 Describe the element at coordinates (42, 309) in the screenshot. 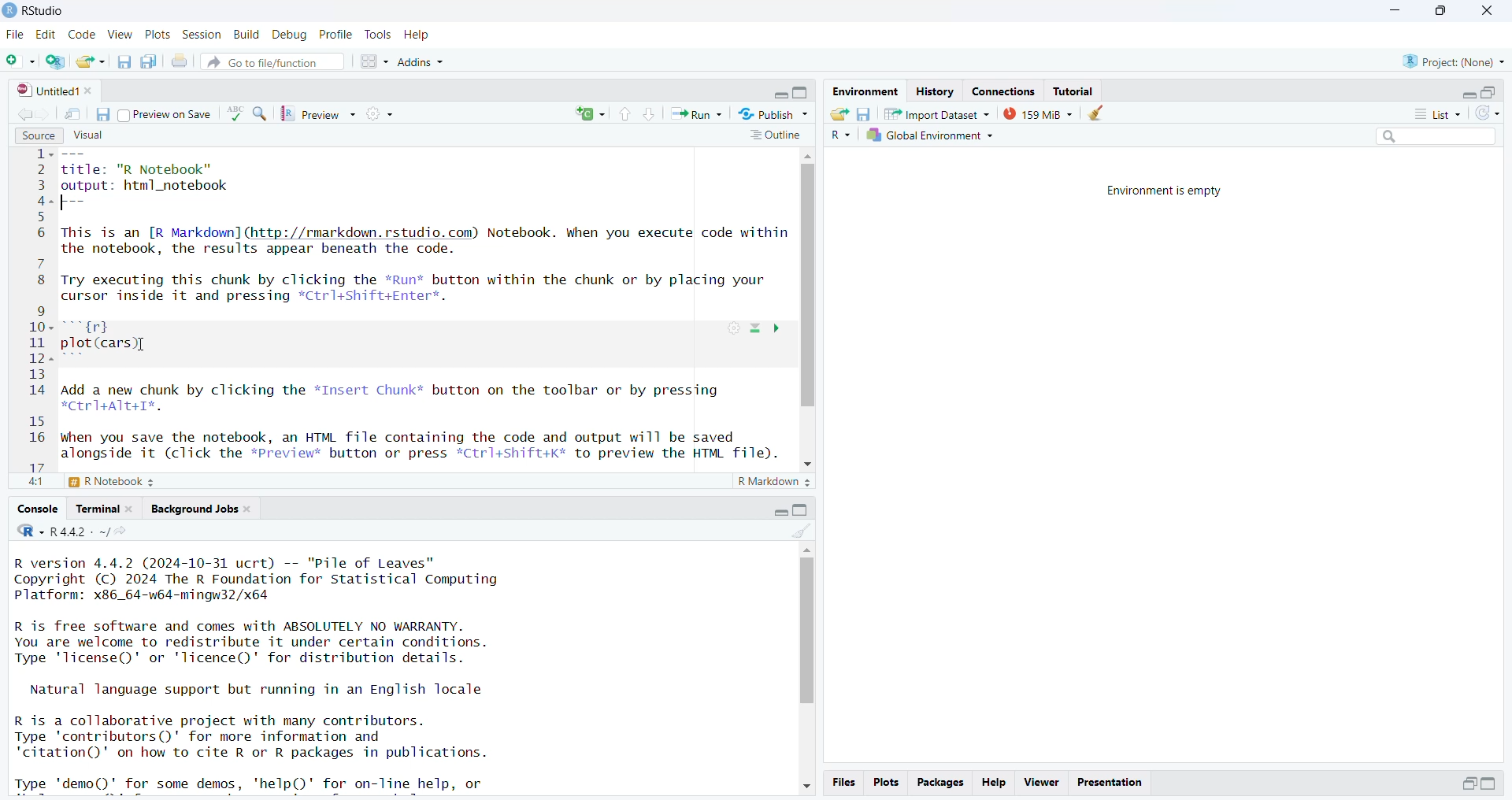

I see `line numbers` at that location.